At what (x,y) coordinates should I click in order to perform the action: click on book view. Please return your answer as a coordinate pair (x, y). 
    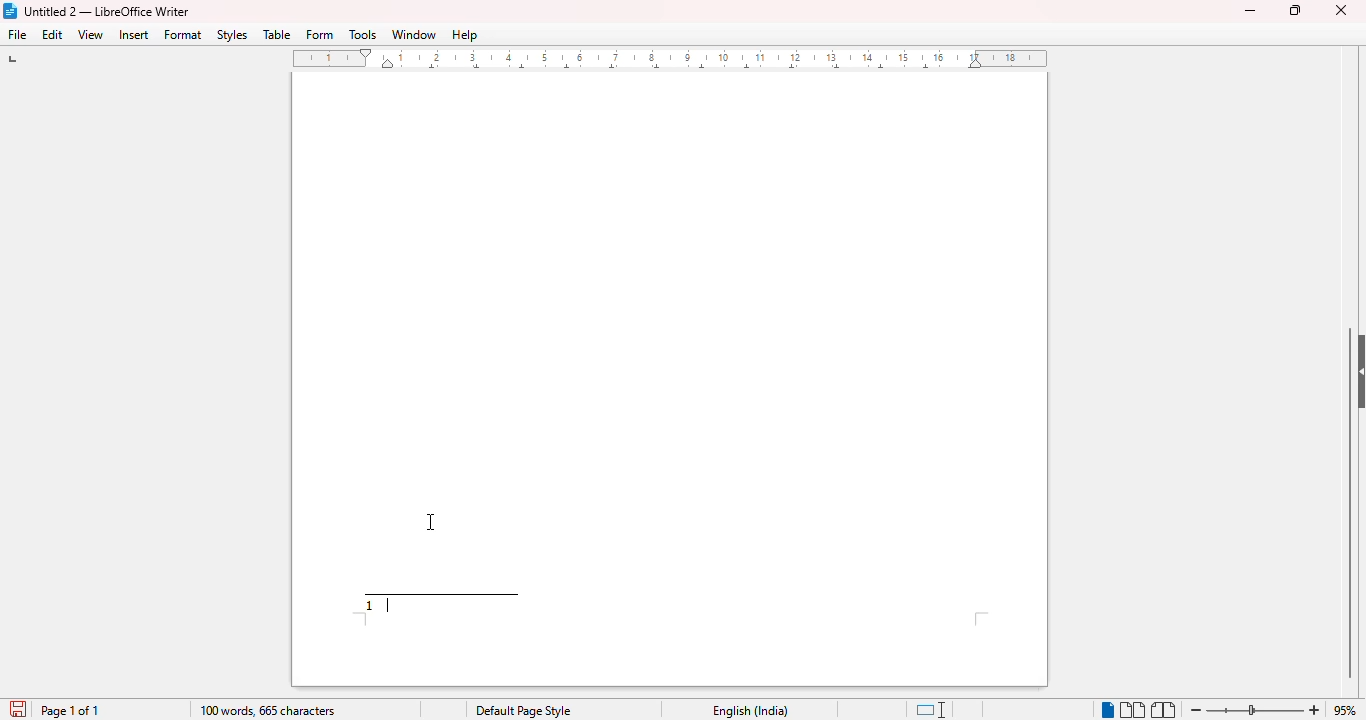
    Looking at the image, I should click on (1162, 709).